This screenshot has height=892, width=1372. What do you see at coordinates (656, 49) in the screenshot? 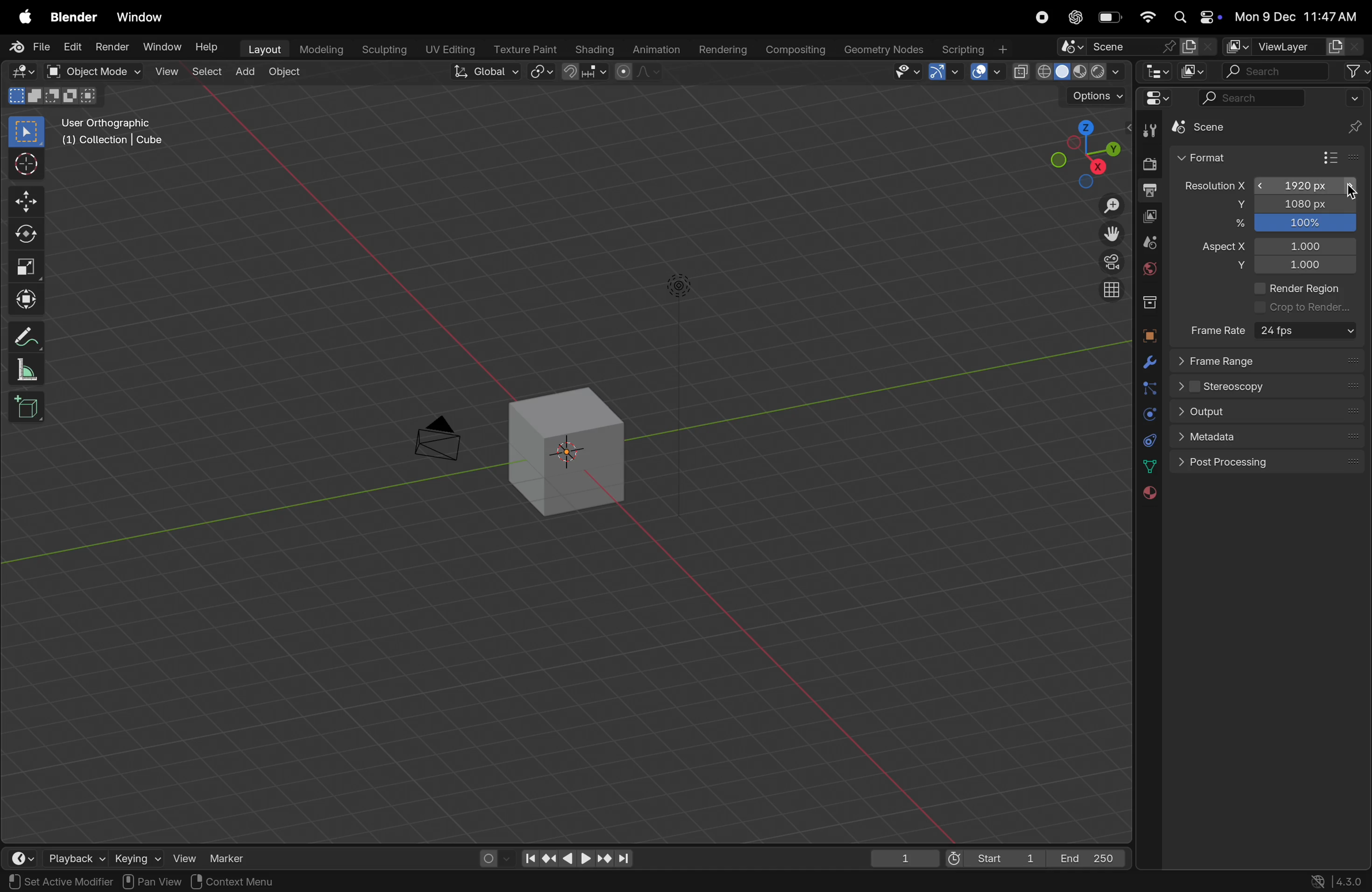
I see `Animation` at bounding box center [656, 49].